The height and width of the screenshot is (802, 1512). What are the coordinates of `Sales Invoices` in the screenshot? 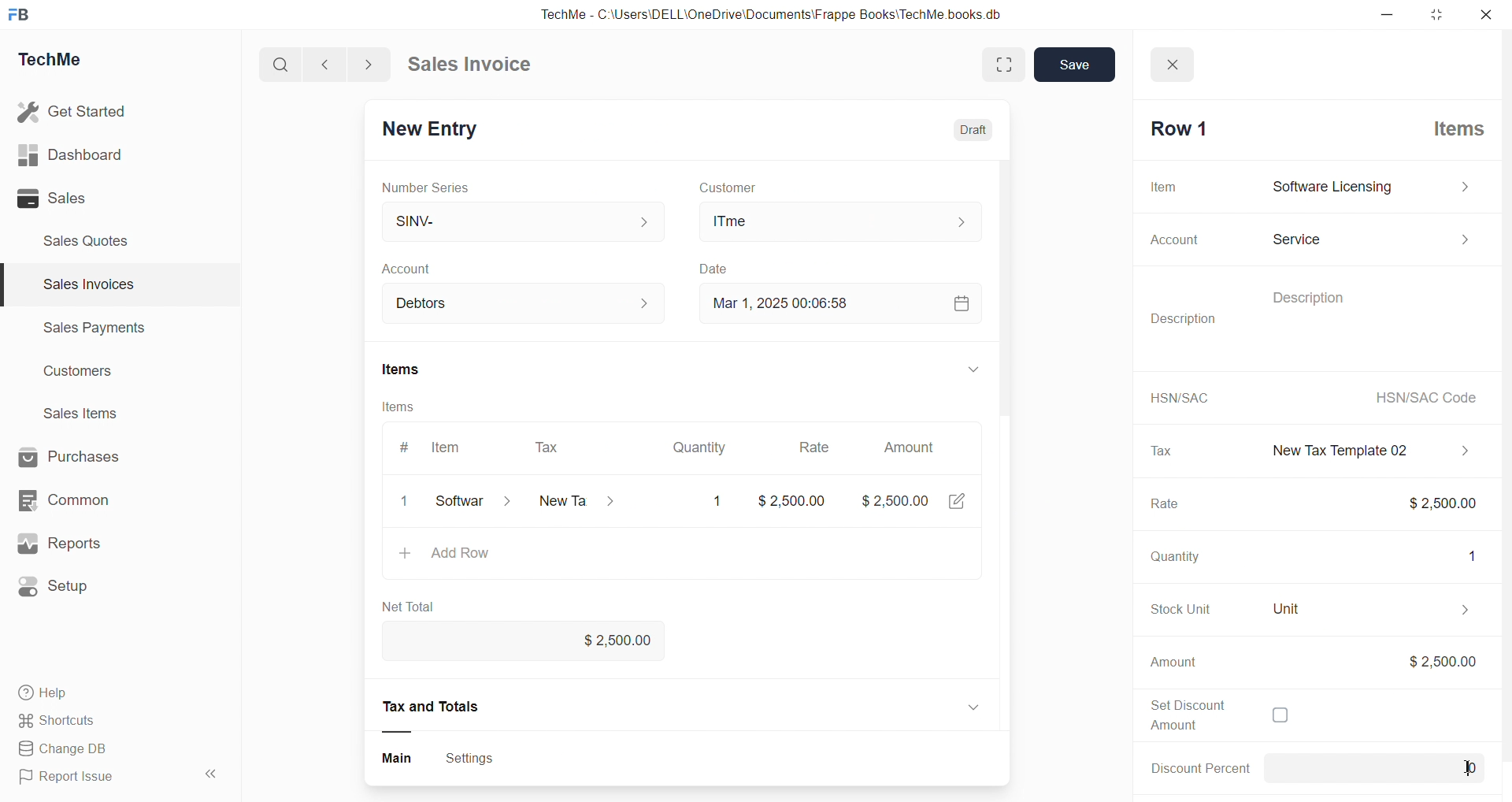 It's located at (82, 287).